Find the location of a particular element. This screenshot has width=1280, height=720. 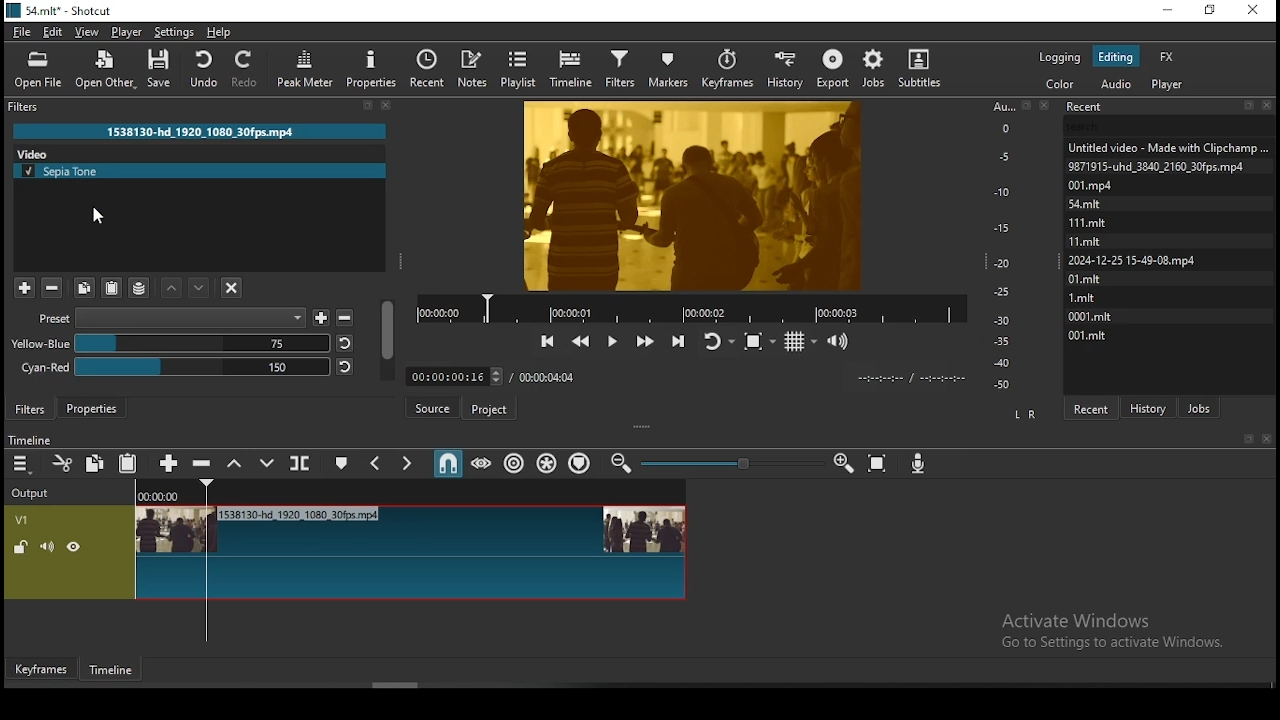

001.mpd is located at coordinates (1092, 185).